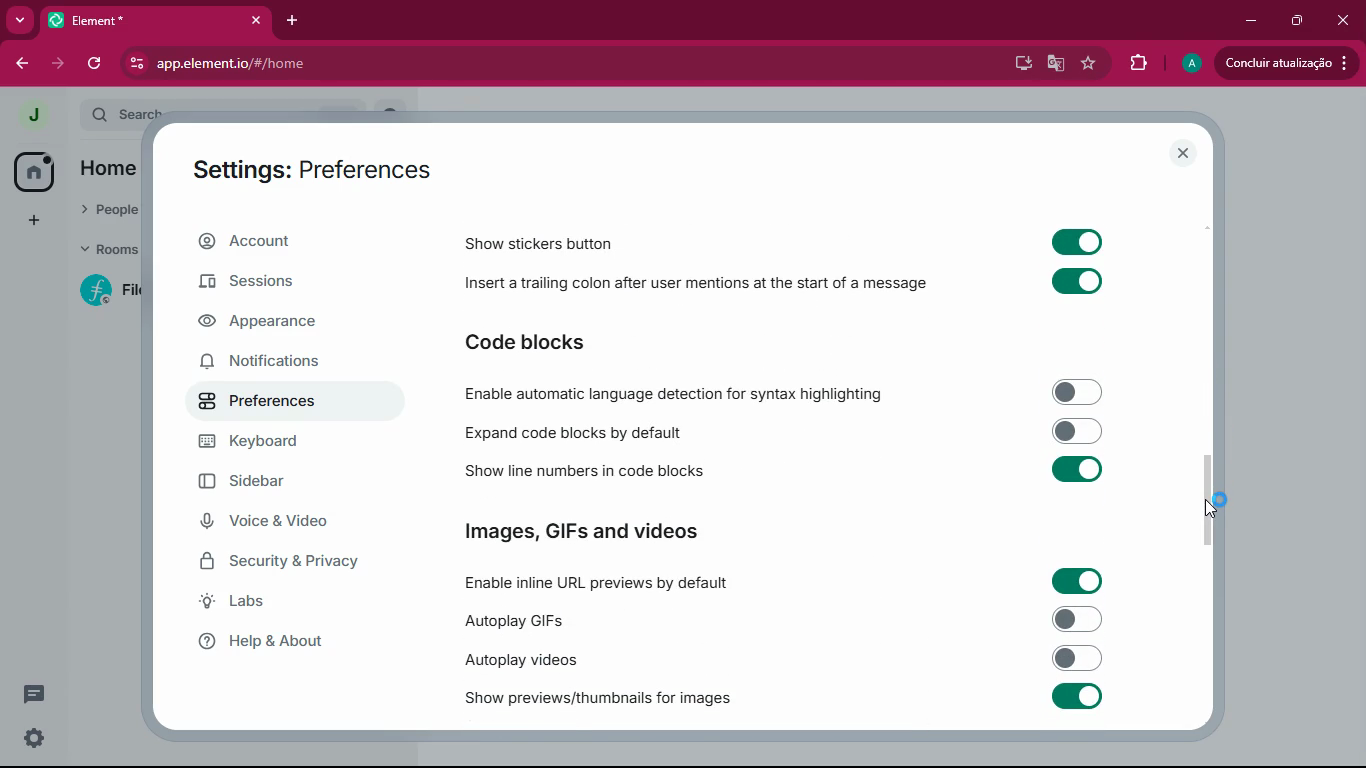 The height and width of the screenshot is (768, 1366). I want to click on comments, so click(37, 692).